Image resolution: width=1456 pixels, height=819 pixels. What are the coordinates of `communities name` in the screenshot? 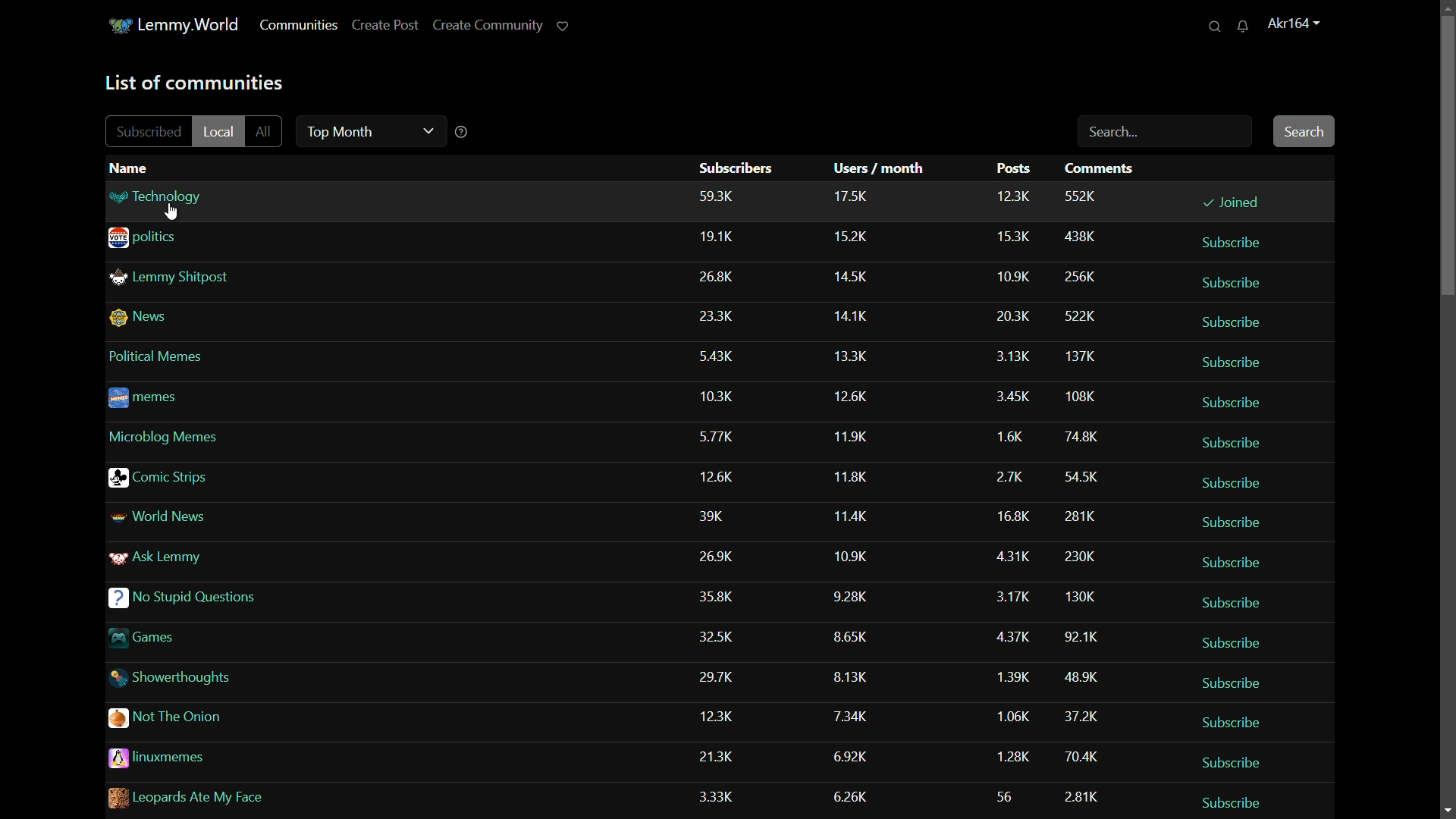 It's located at (171, 514).